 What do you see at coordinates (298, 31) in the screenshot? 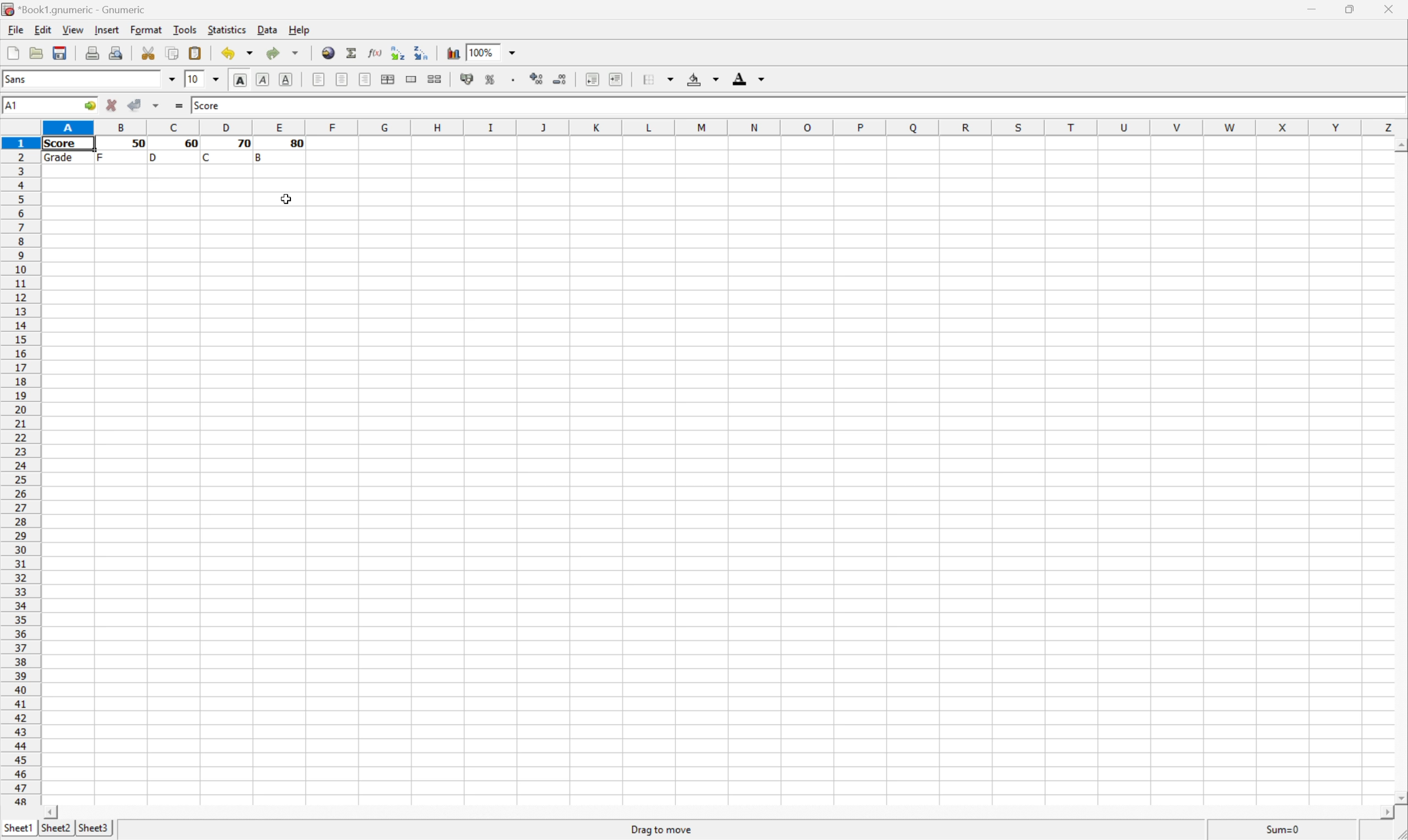
I see `Help` at bounding box center [298, 31].